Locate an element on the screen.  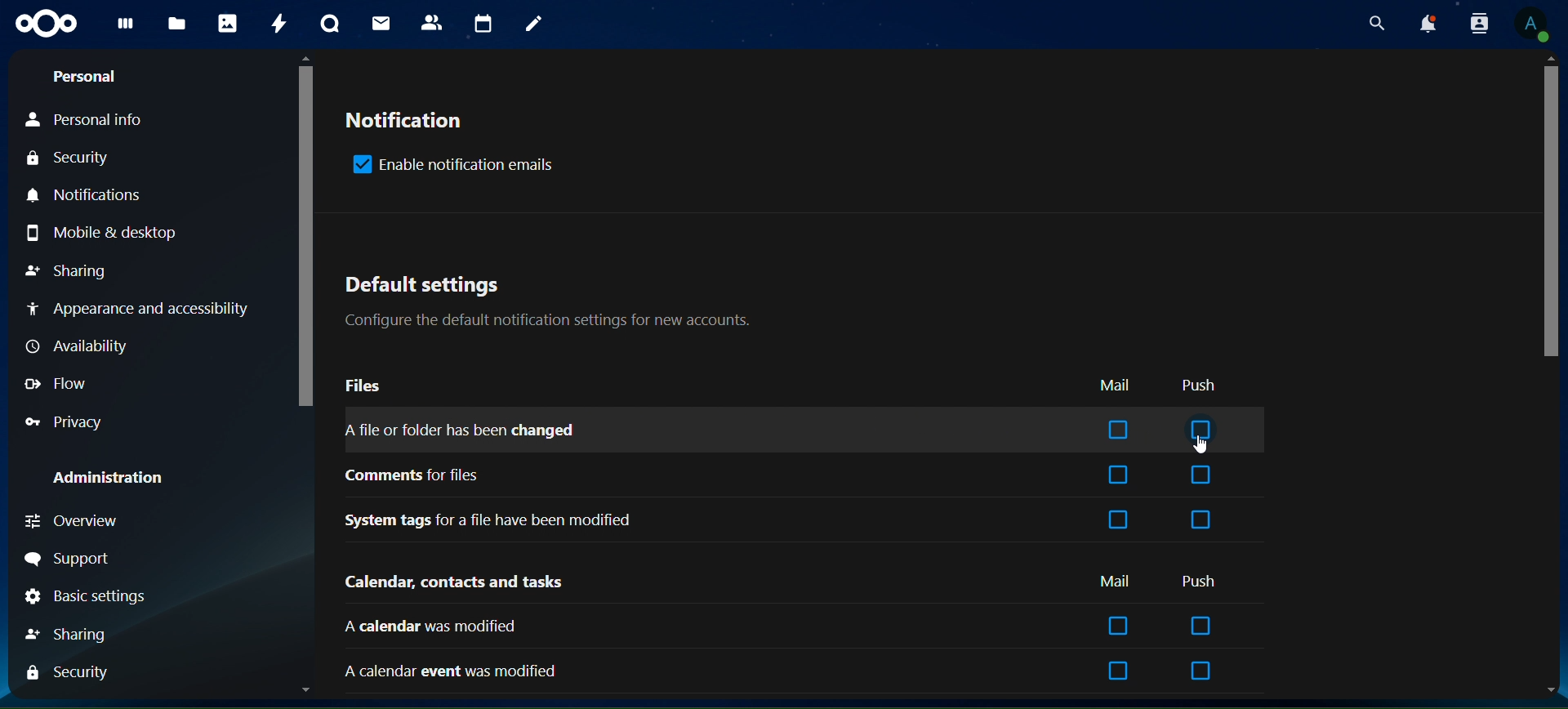
box is located at coordinates (1200, 519).